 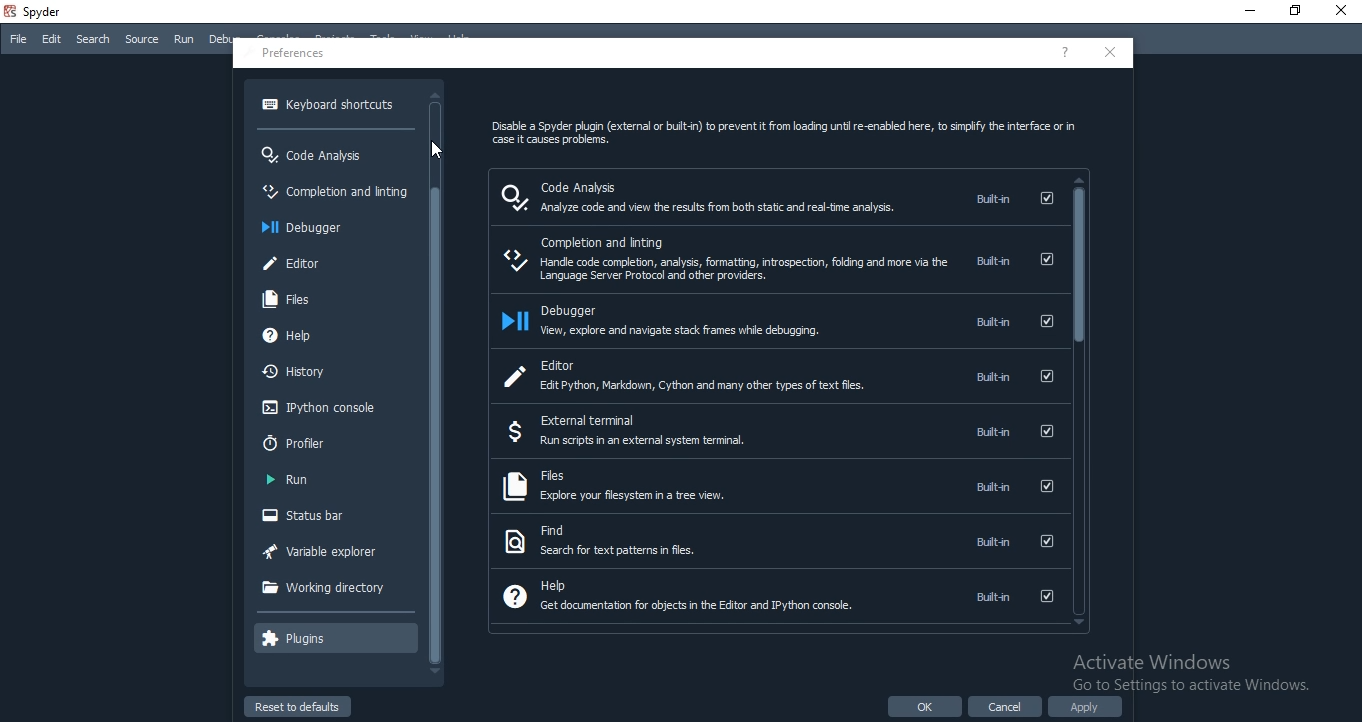 I want to click on name of the dialog box, so click(x=294, y=52).